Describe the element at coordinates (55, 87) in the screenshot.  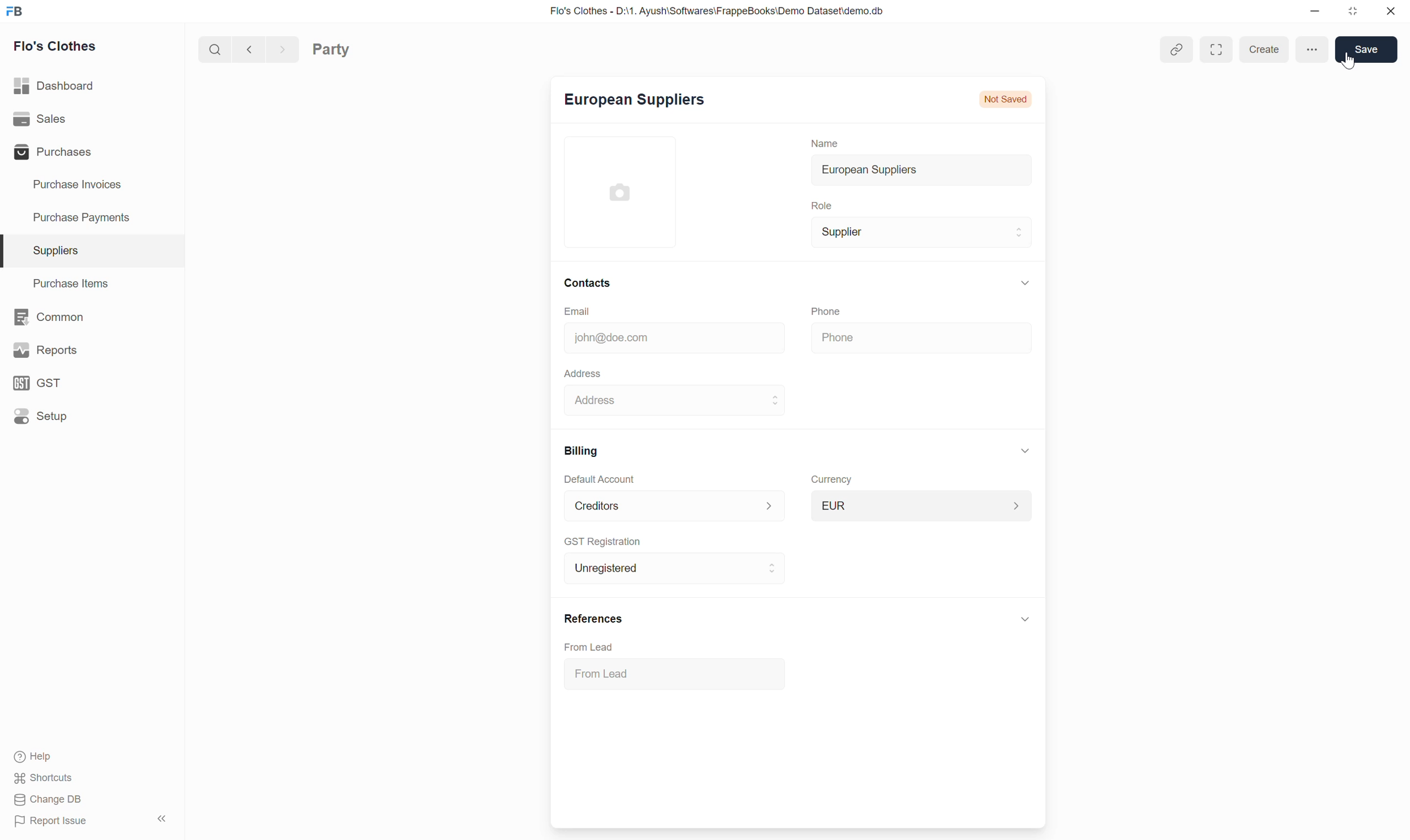
I see `dashboard` at that location.